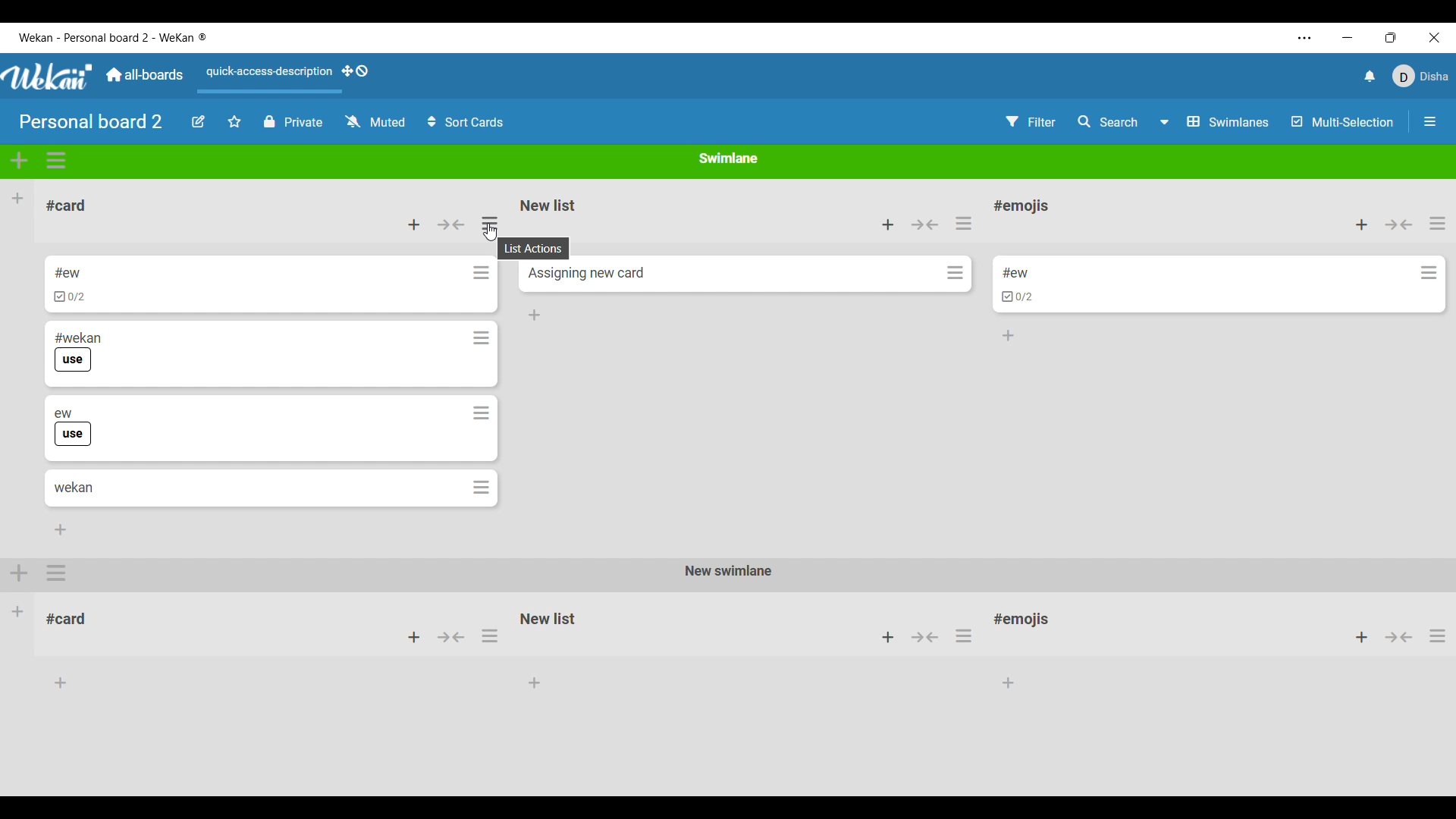  Describe the element at coordinates (1438, 223) in the screenshot. I see `List actions` at that location.